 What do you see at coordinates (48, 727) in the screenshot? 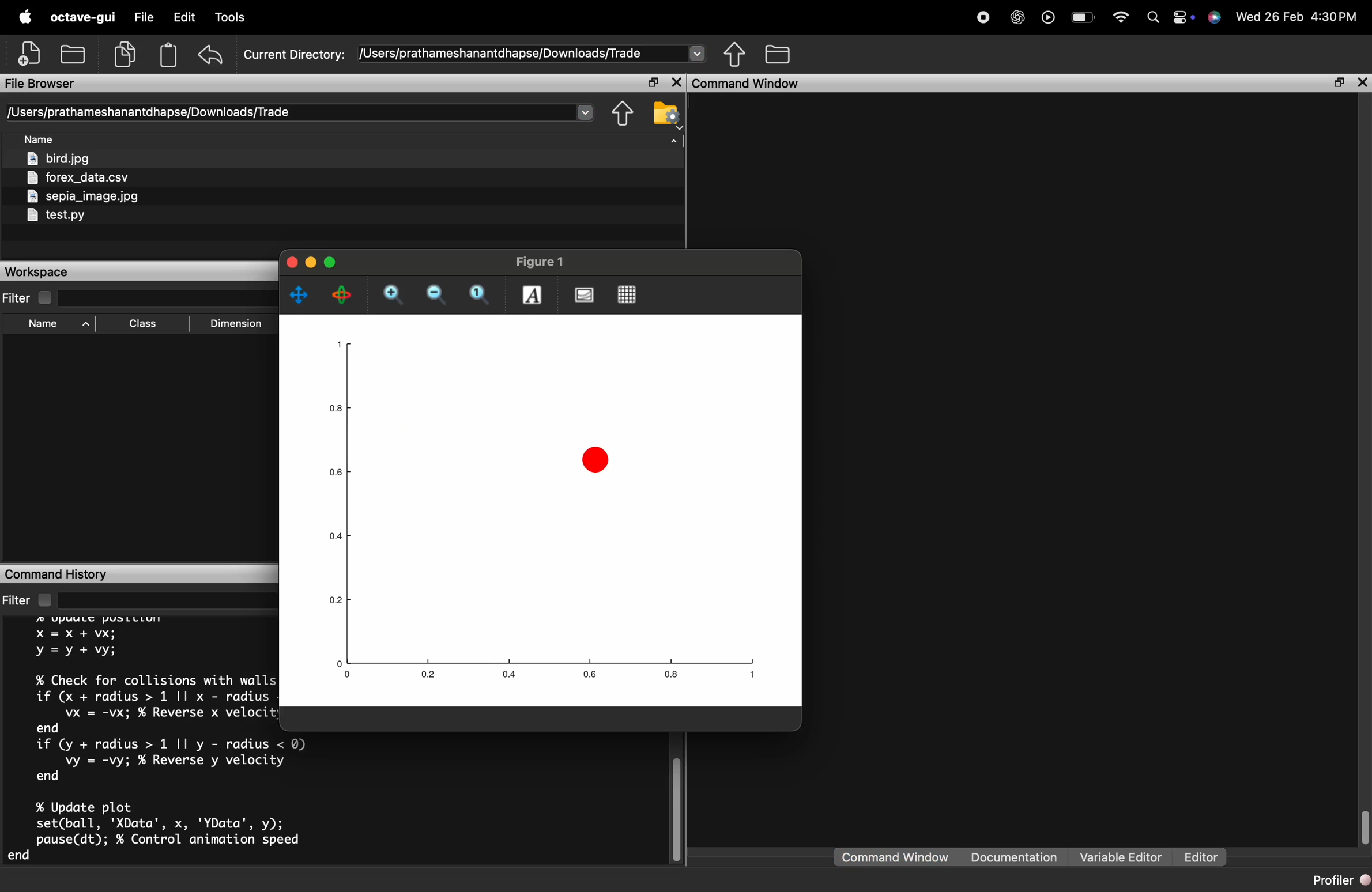
I see `end` at bounding box center [48, 727].